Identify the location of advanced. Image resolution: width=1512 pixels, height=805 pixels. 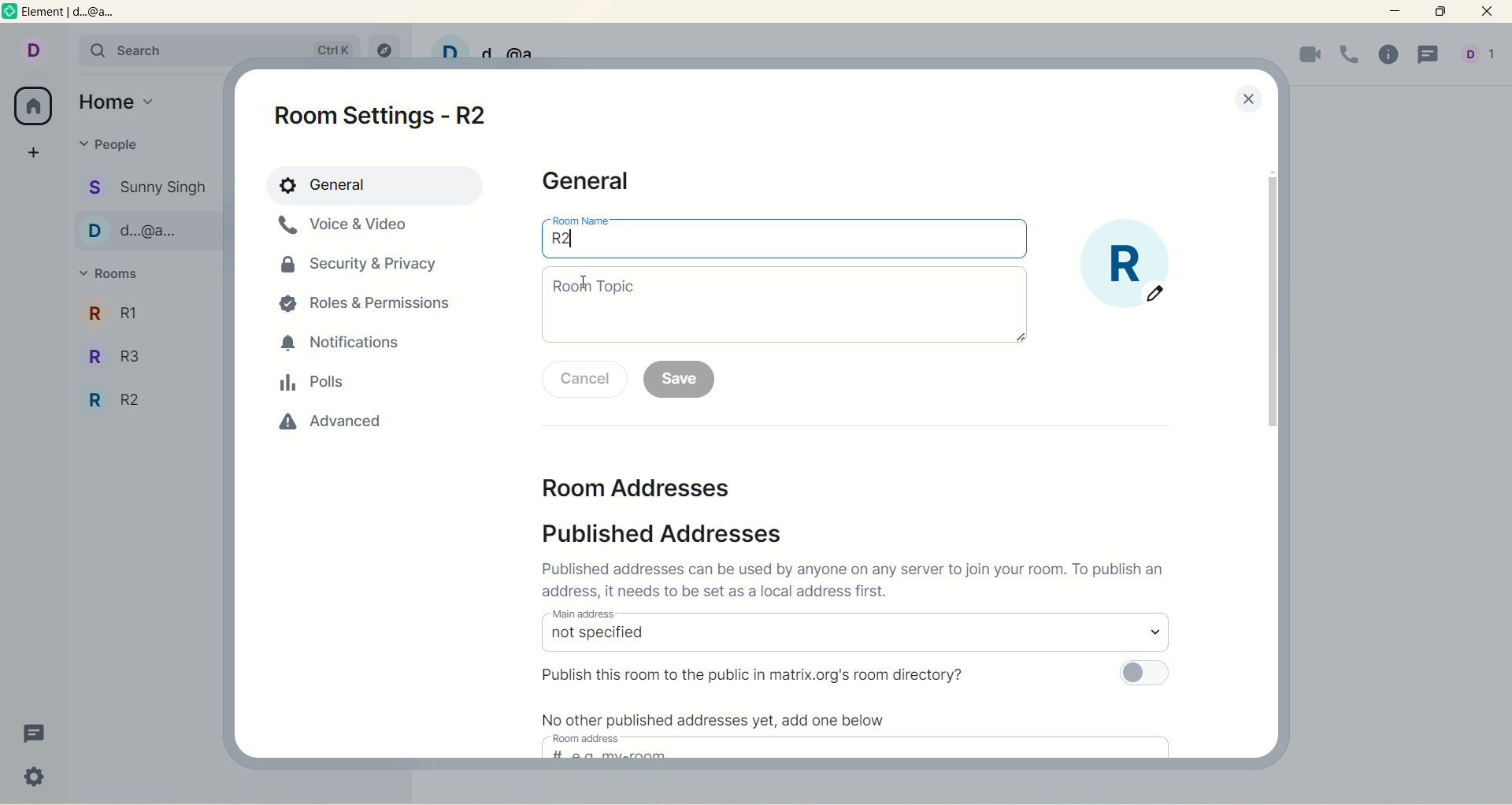
(323, 429).